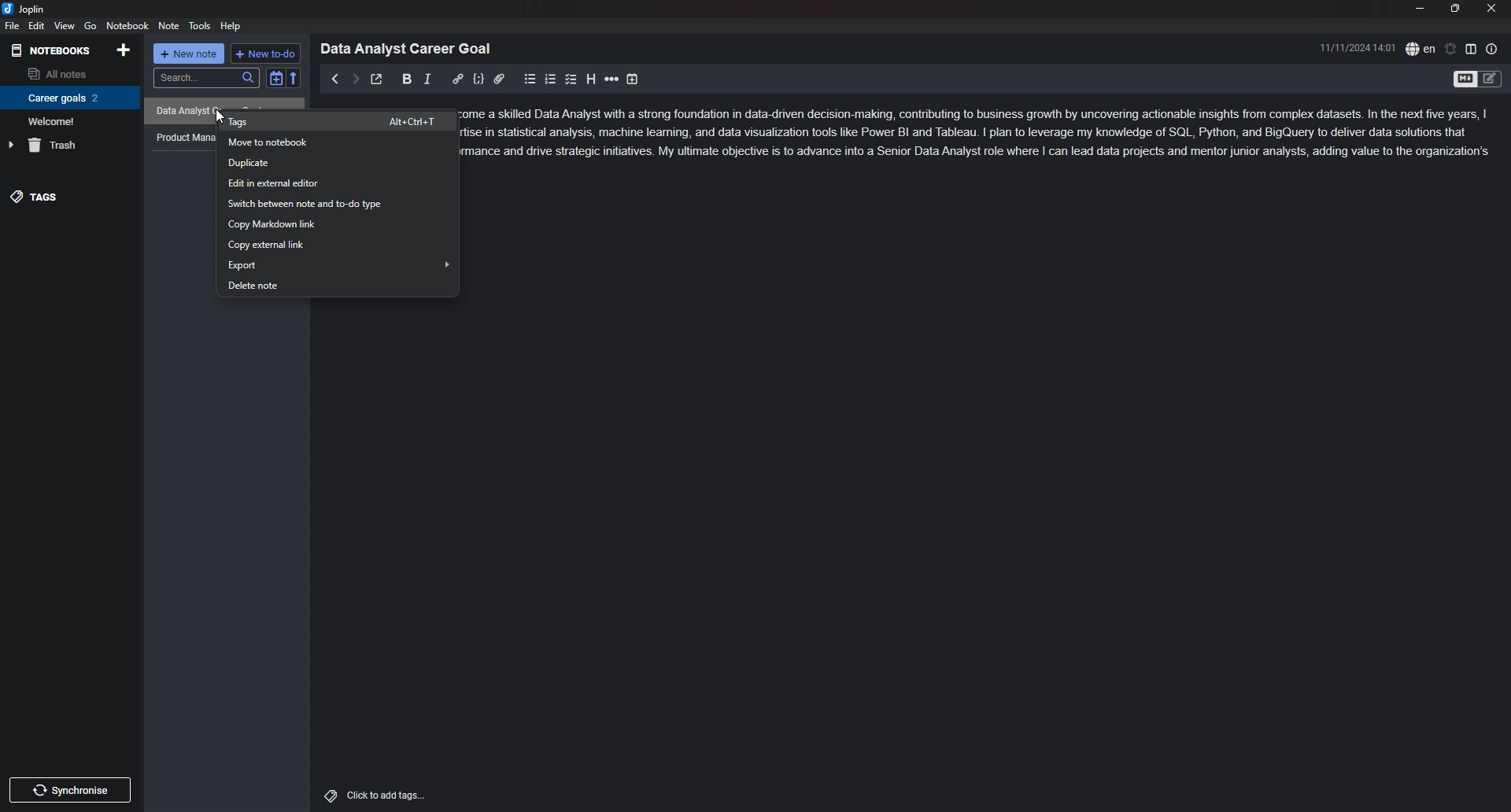 This screenshot has height=812, width=1511. What do you see at coordinates (25, 9) in the screenshot?
I see `joplin` at bounding box center [25, 9].